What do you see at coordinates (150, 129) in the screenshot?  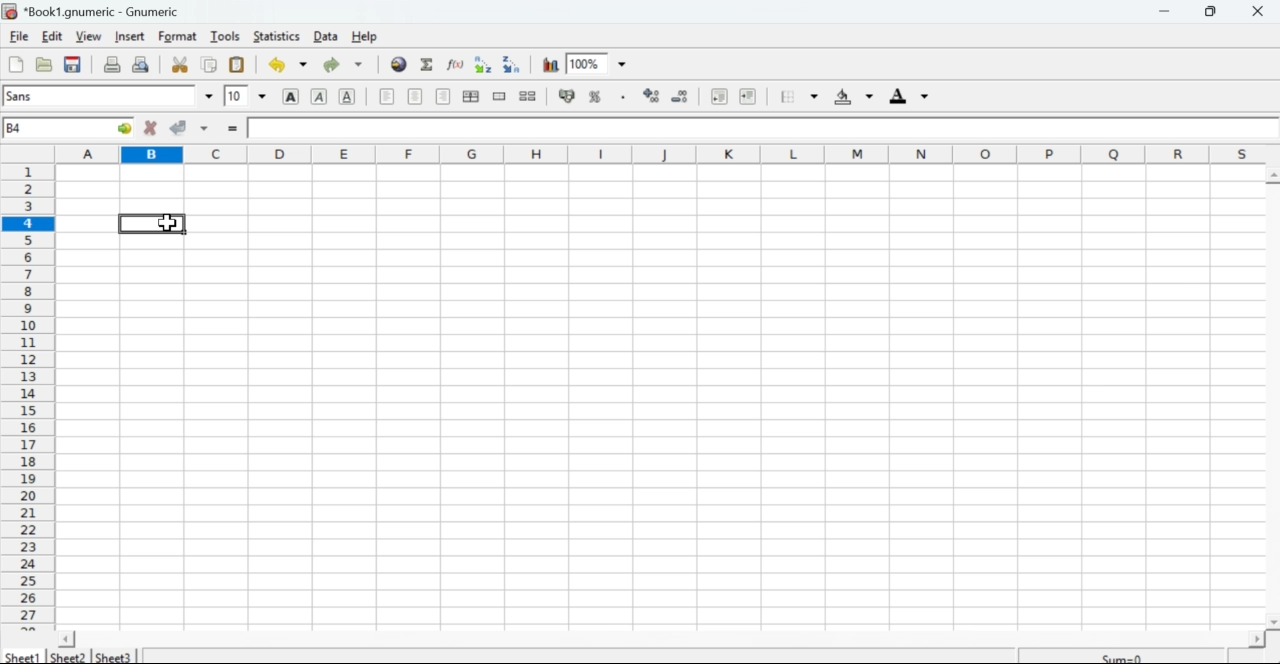 I see `Cancel change` at bounding box center [150, 129].